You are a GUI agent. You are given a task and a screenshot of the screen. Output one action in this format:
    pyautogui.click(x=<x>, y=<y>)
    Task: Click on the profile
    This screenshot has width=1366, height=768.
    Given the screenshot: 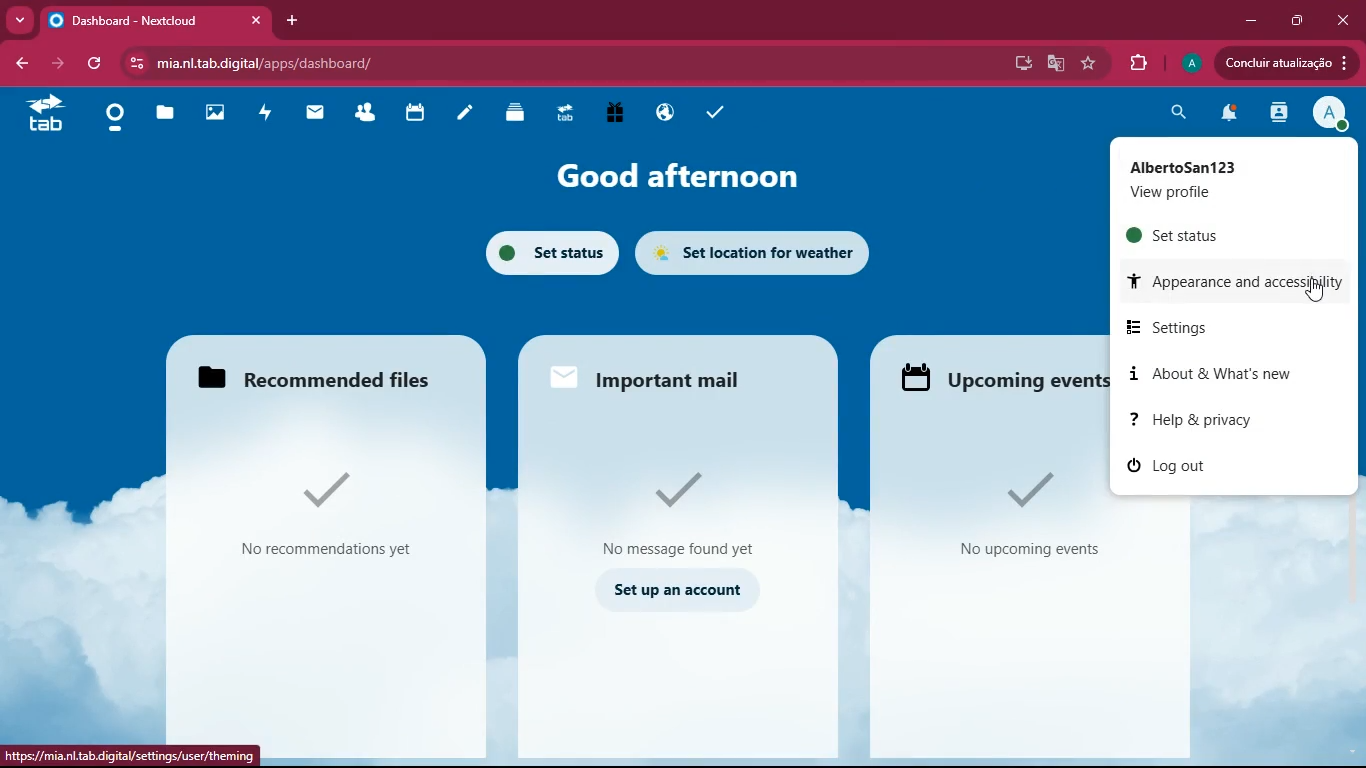 What is the action you would take?
    pyautogui.click(x=1225, y=179)
    